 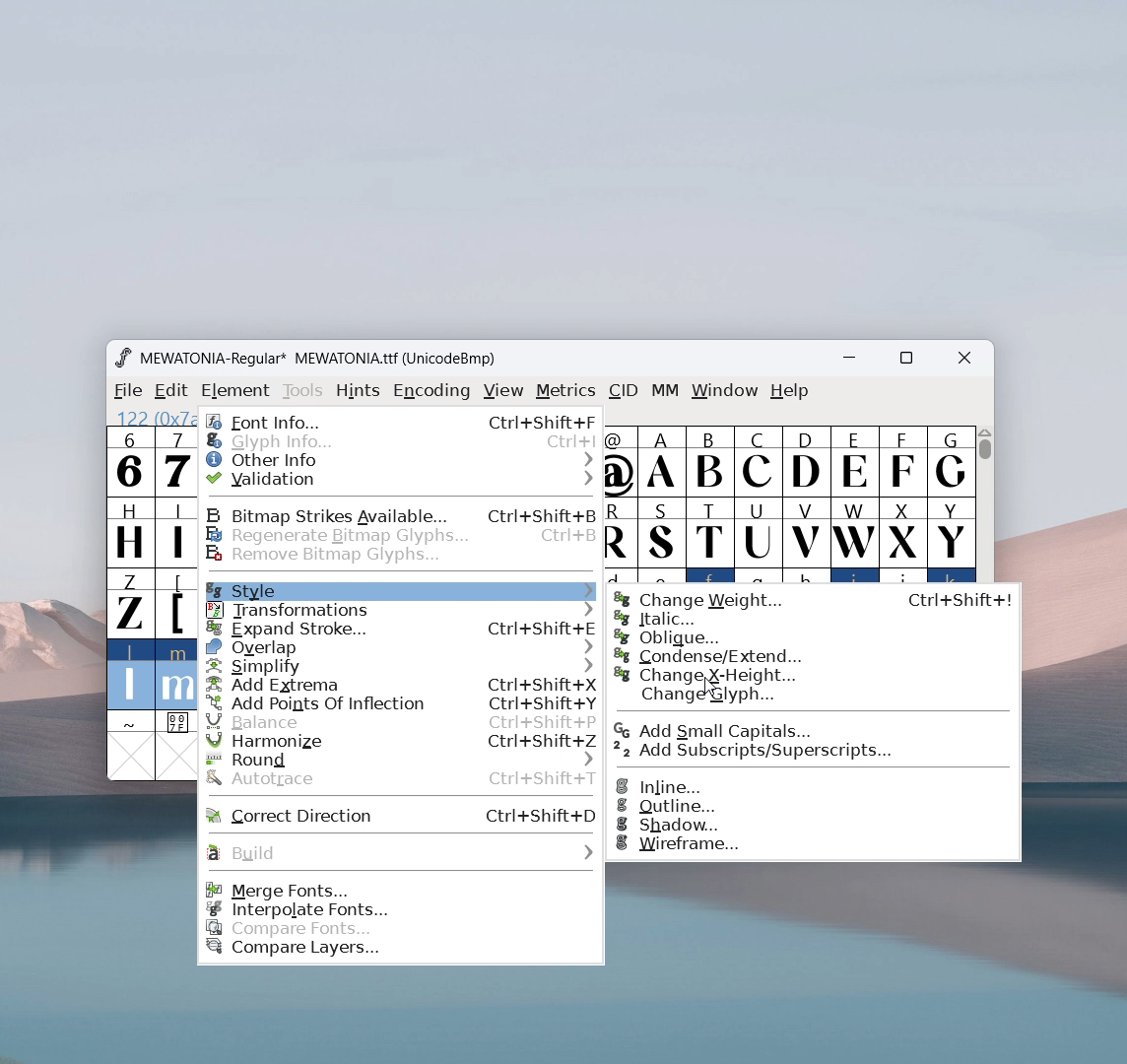 I want to click on cid, so click(x=623, y=391).